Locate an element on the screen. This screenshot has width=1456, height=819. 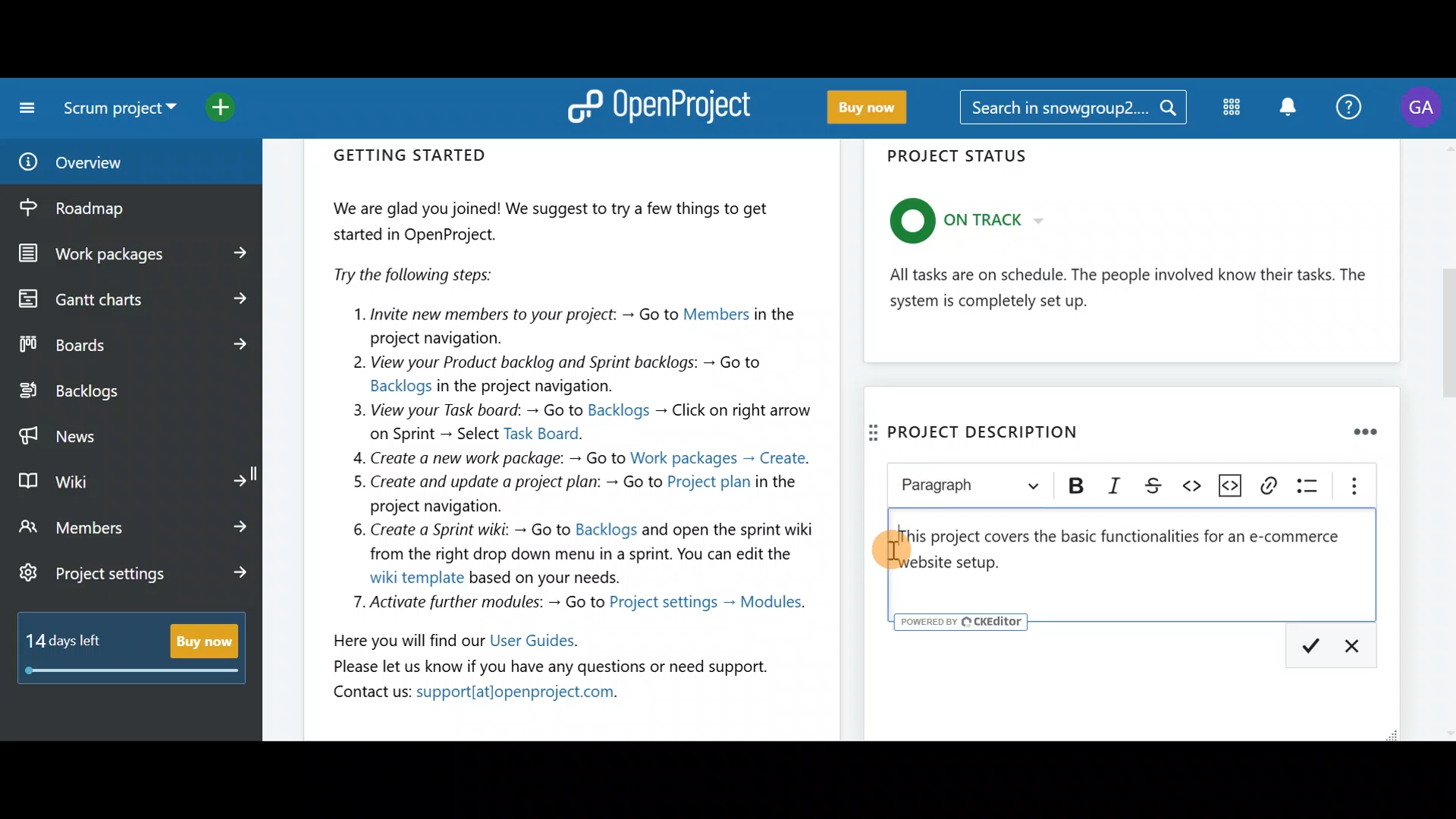
Description: Cancel is located at coordinates (1356, 647).